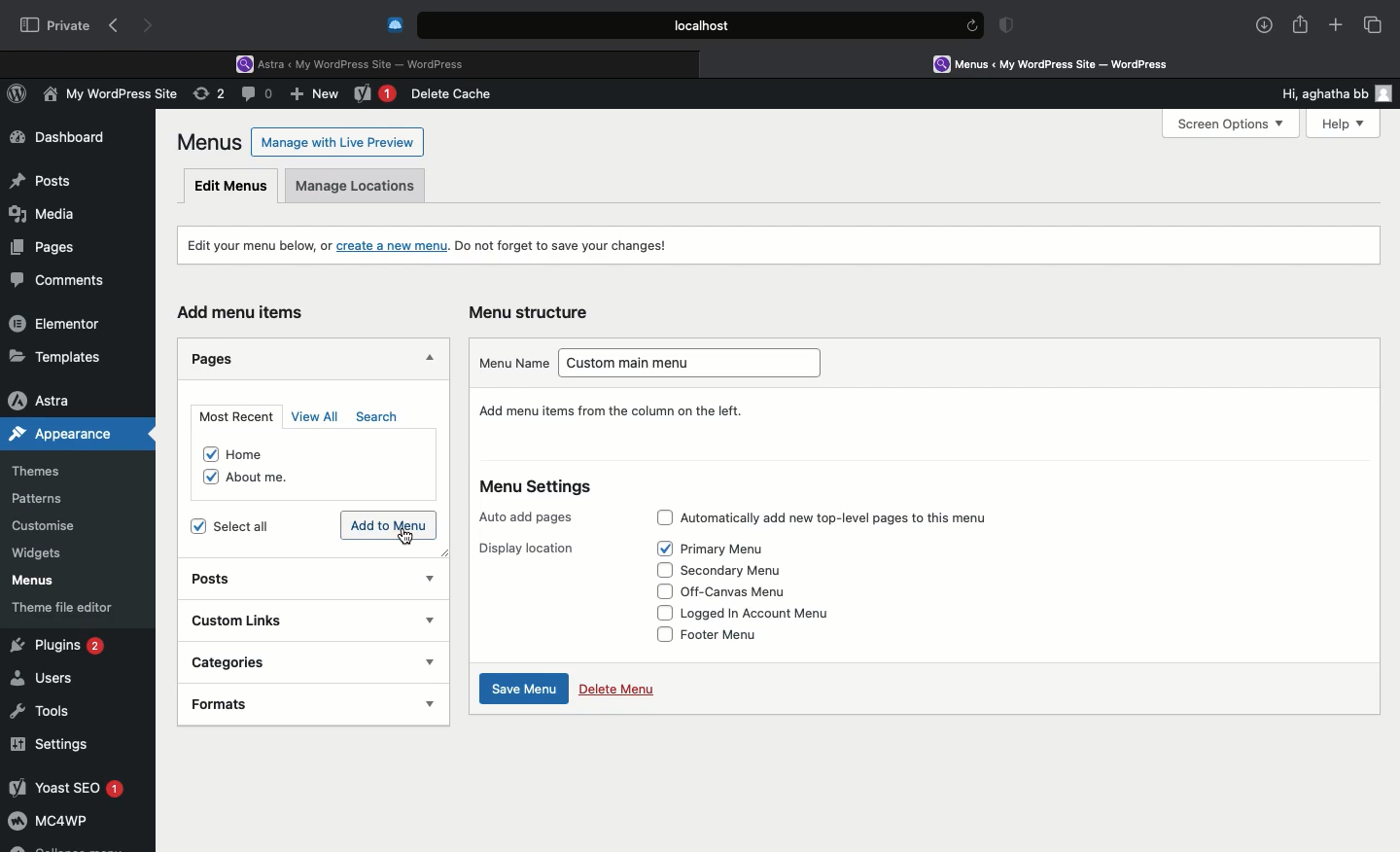  Describe the element at coordinates (39, 553) in the screenshot. I see `Widgets` at that location.